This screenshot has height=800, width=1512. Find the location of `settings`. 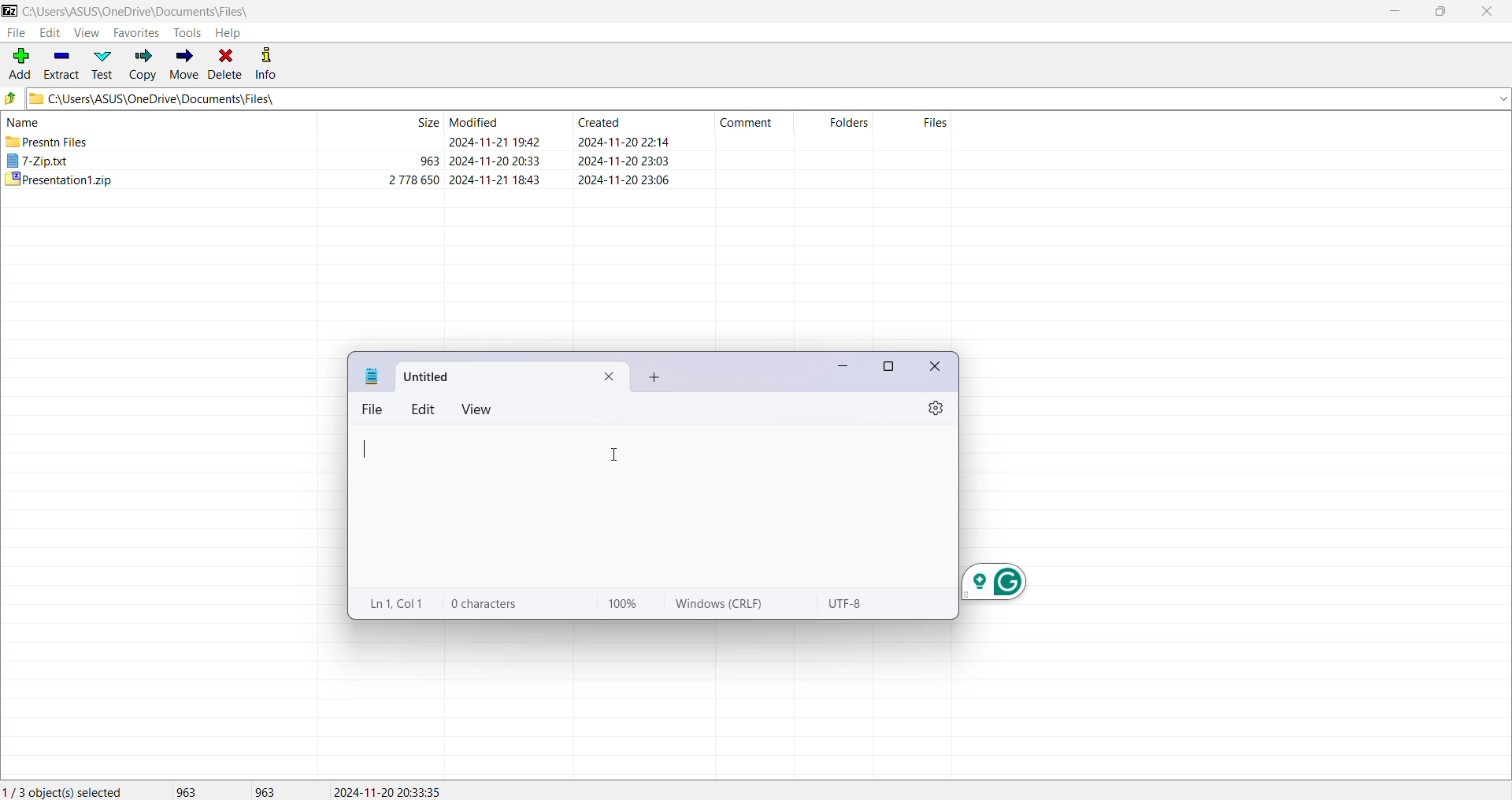

settings is located at coordinates (937, 408).